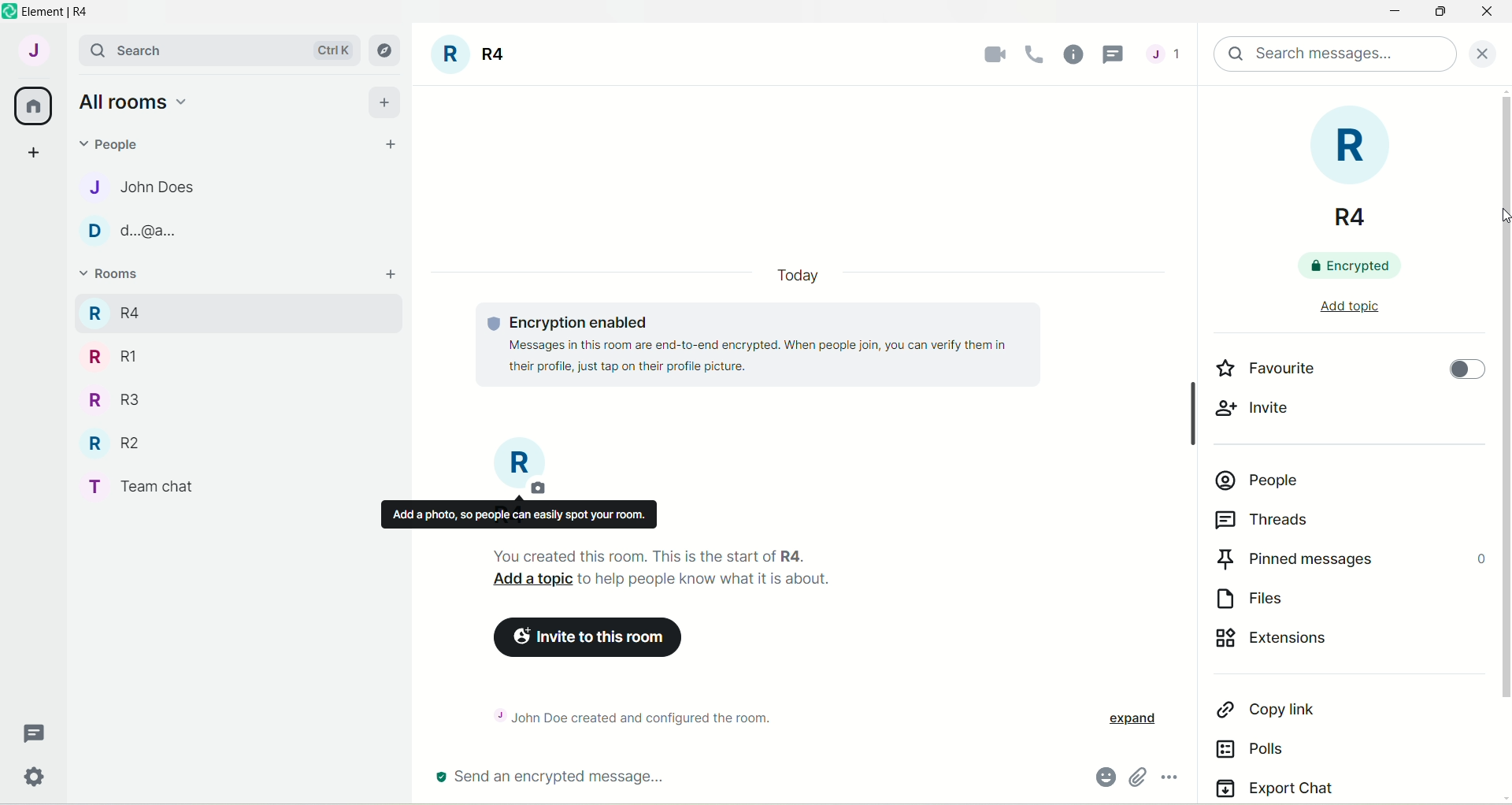  What do you see at coordinates (134, 50) in the screenshot?
I see `search` at bounding box center [134, 50].